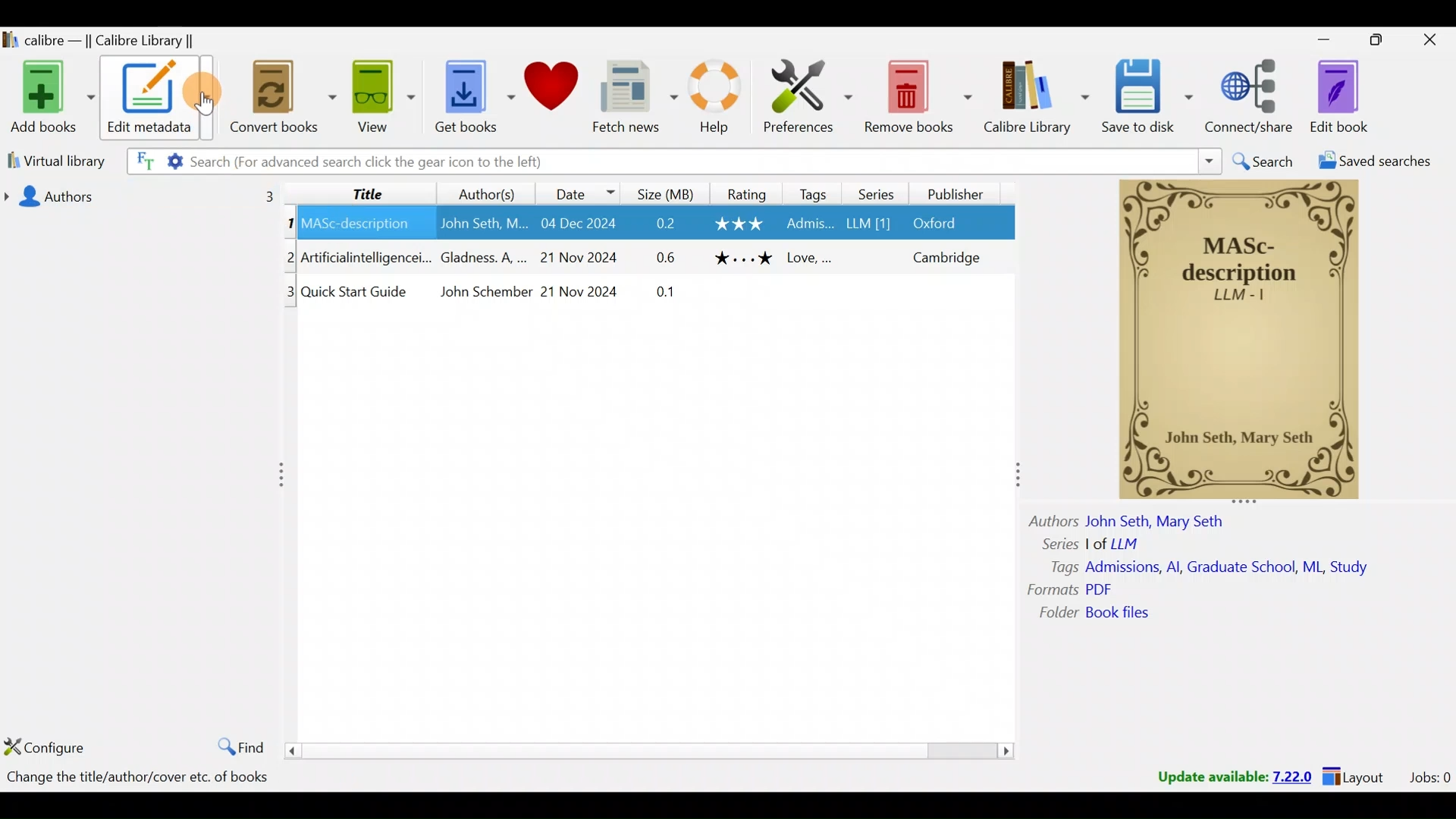 This screenshot has width=1456, height=819. I want to click on , so click(1016, 481).